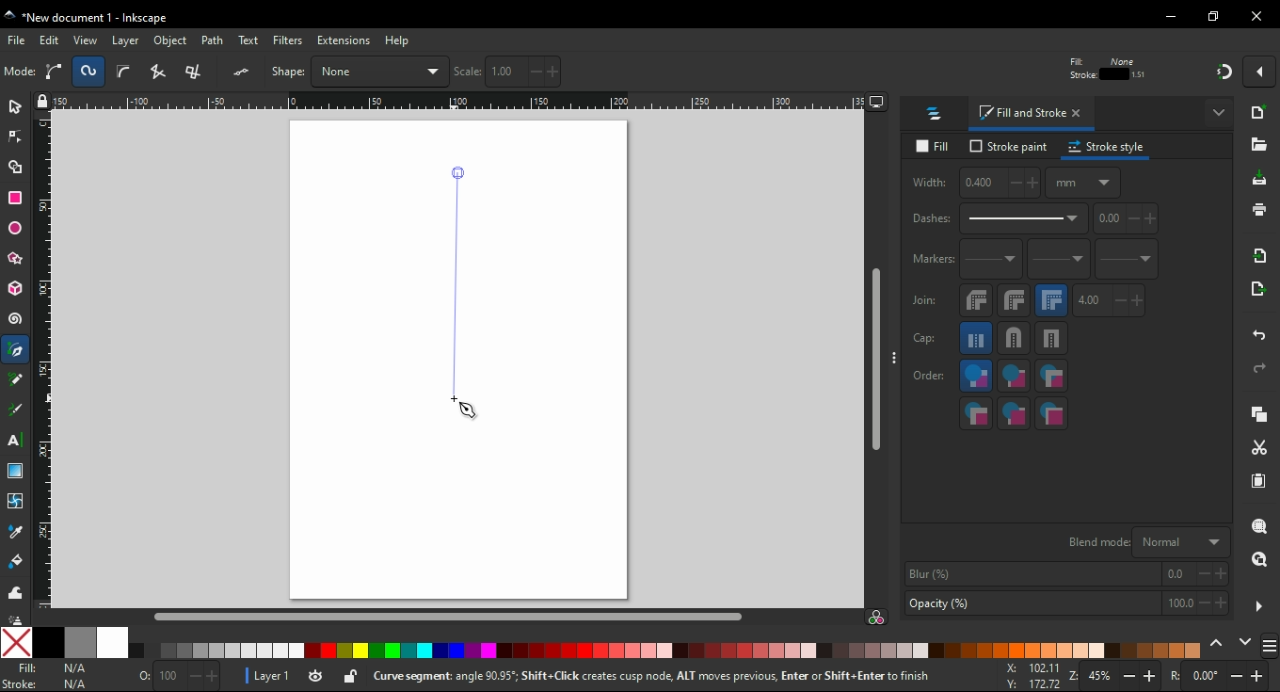 The width and height of the screenshot is (1280, 692). Describe the element at coordinates (403, 651) in the screenshot. I see `color tone pallete` at that location.